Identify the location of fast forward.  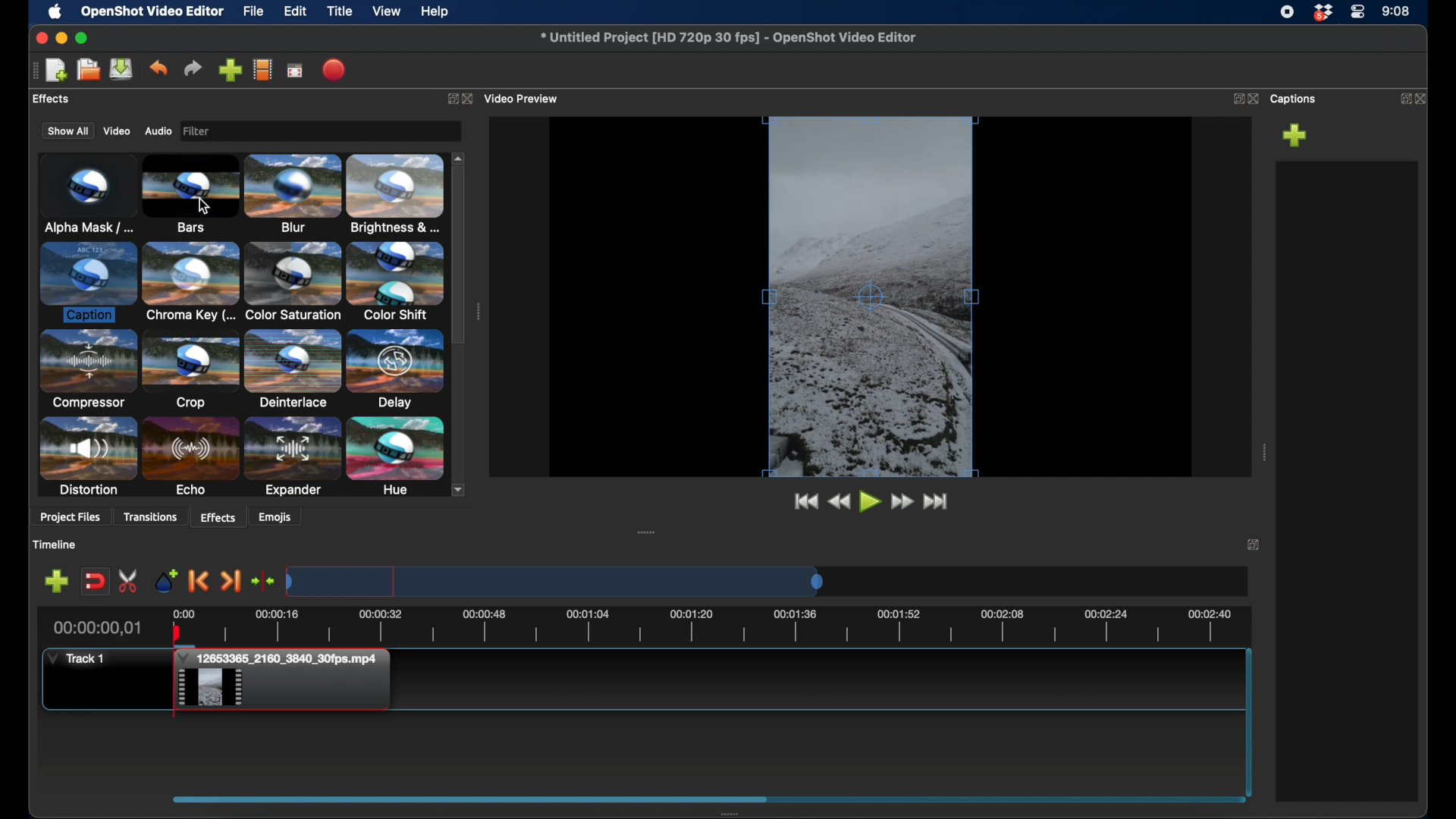
(937, 501).